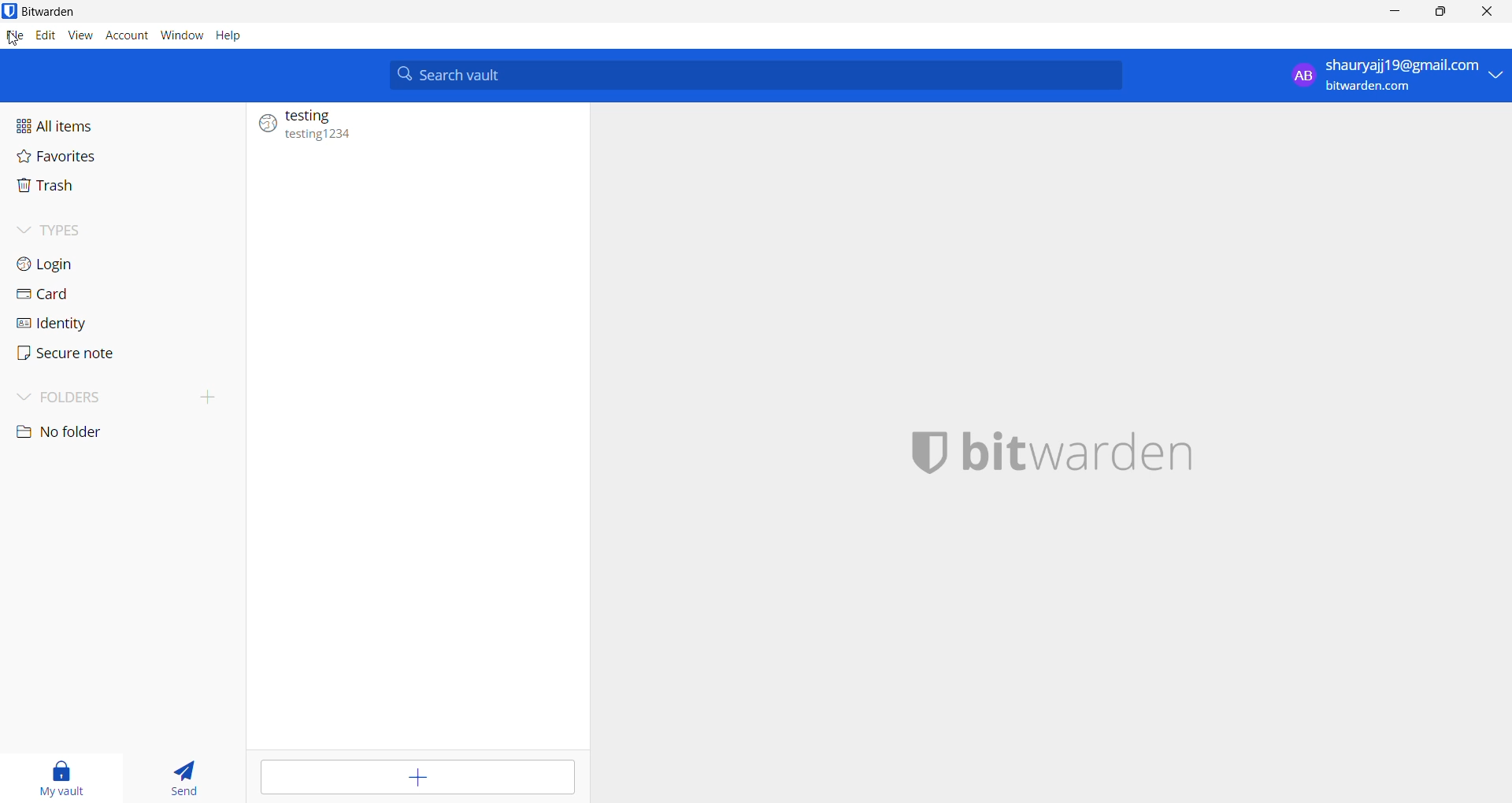  I want to click on types, so click(103, 229).